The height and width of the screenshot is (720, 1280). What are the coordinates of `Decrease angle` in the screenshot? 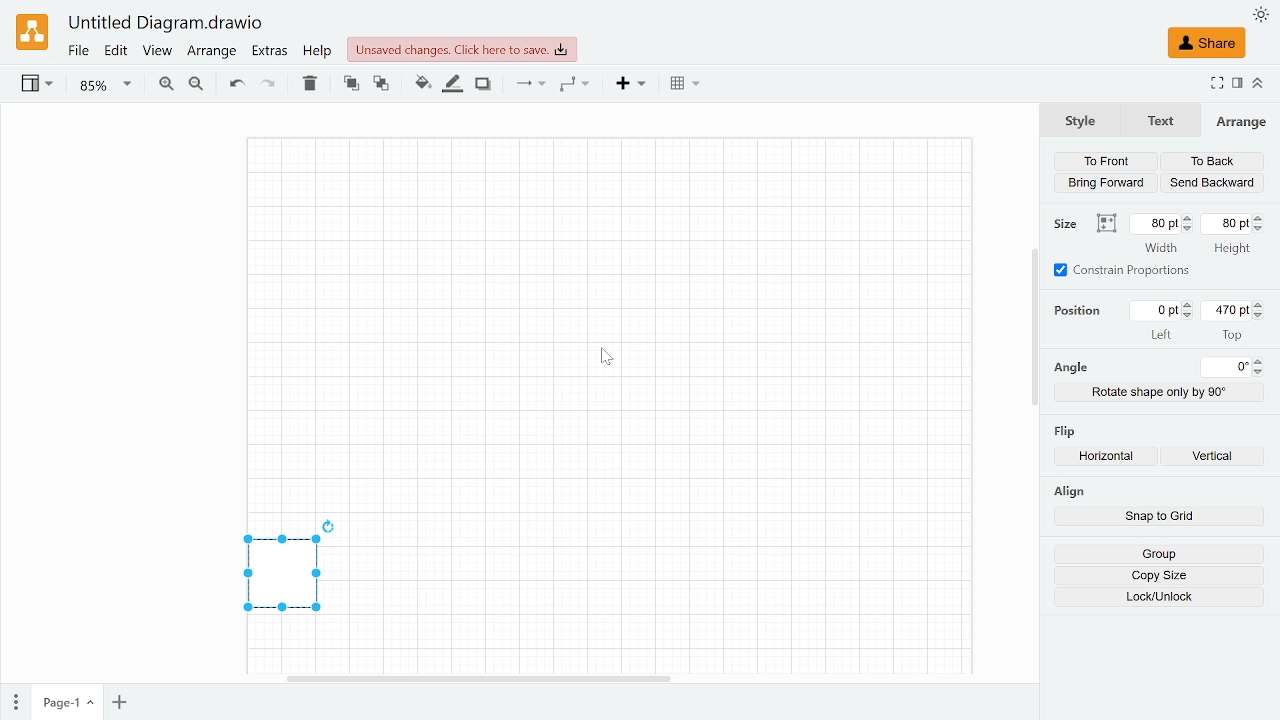 It's located at (1261, 372).